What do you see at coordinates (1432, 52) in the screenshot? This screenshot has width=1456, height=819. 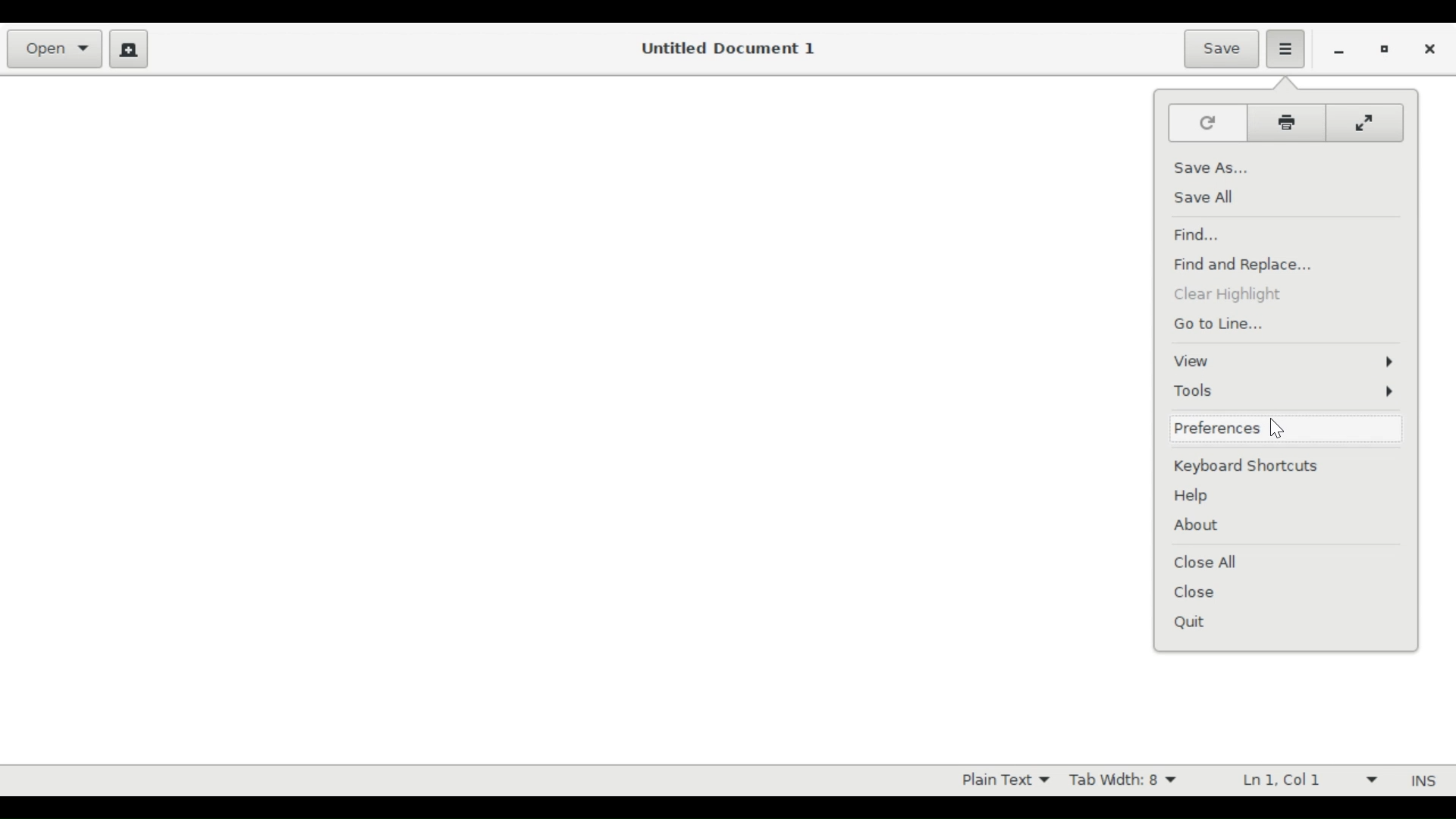 I see `Close` at bounding box center [1432, 52].